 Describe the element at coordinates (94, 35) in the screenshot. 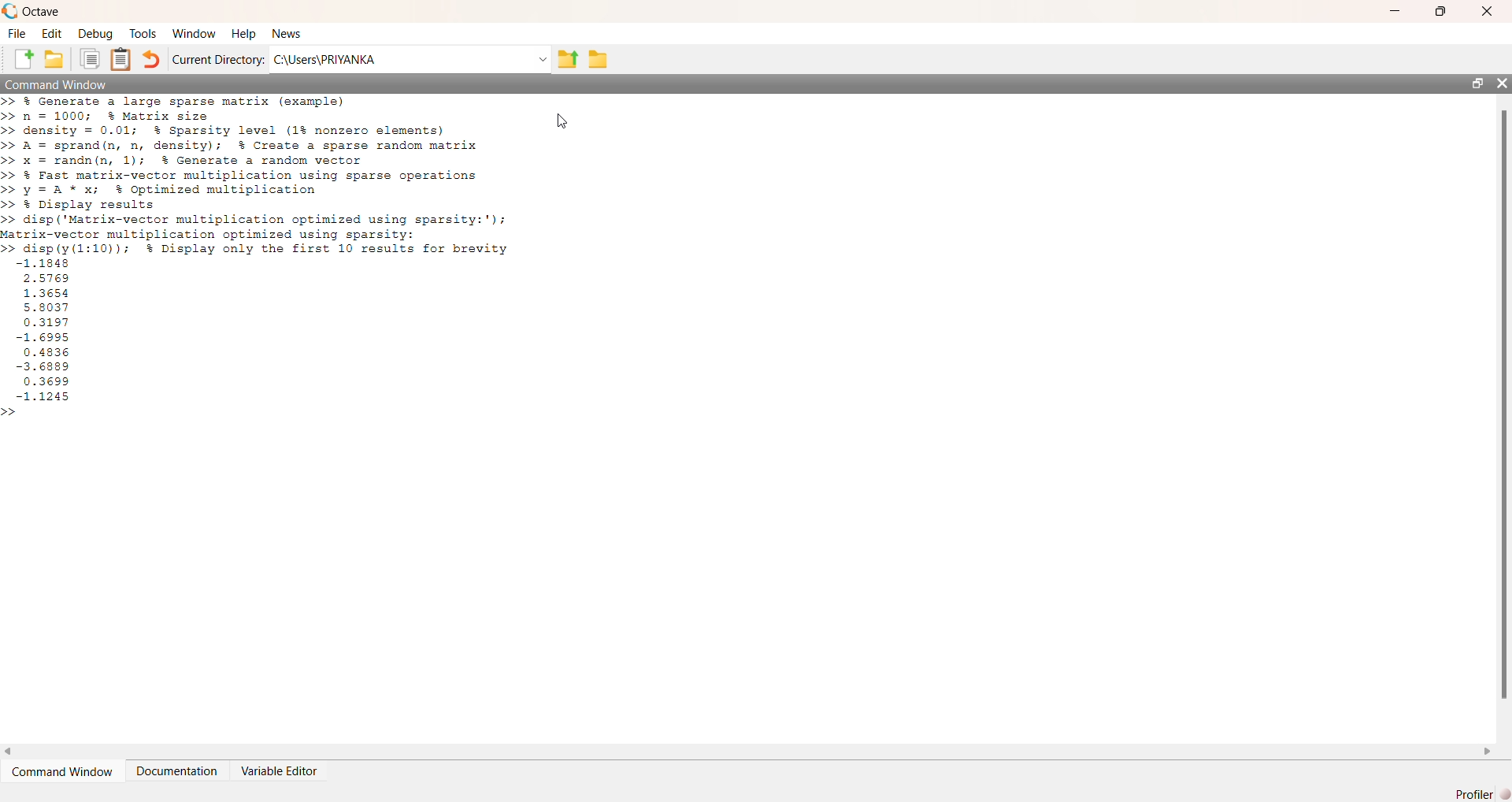

I see `debug` at that location.